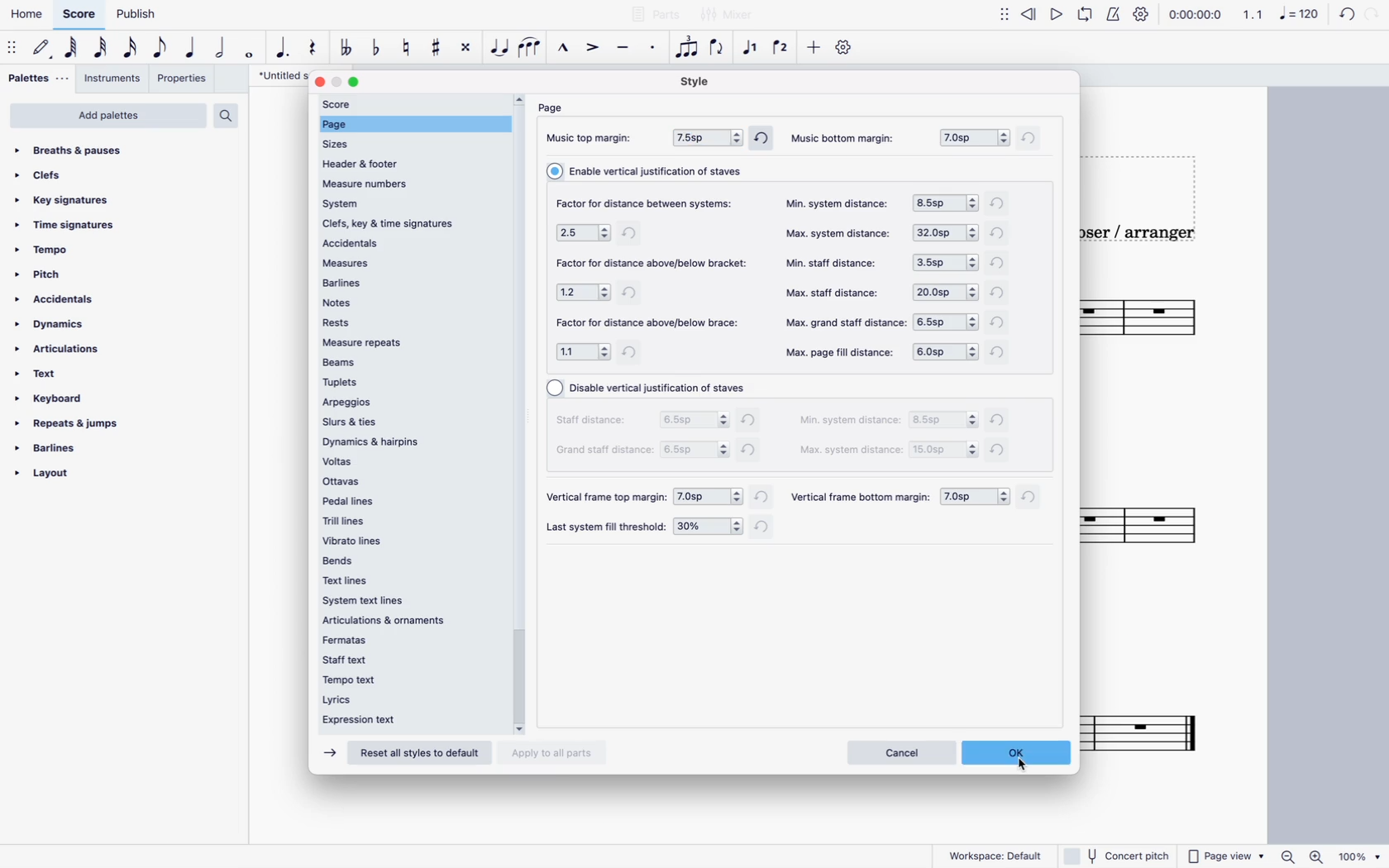 This screenshot has height=868, width=1389. What do you see at coordinates (1115, 855) in the screenshot?
I see `concert pitch` at bounding box center [1115, 855].